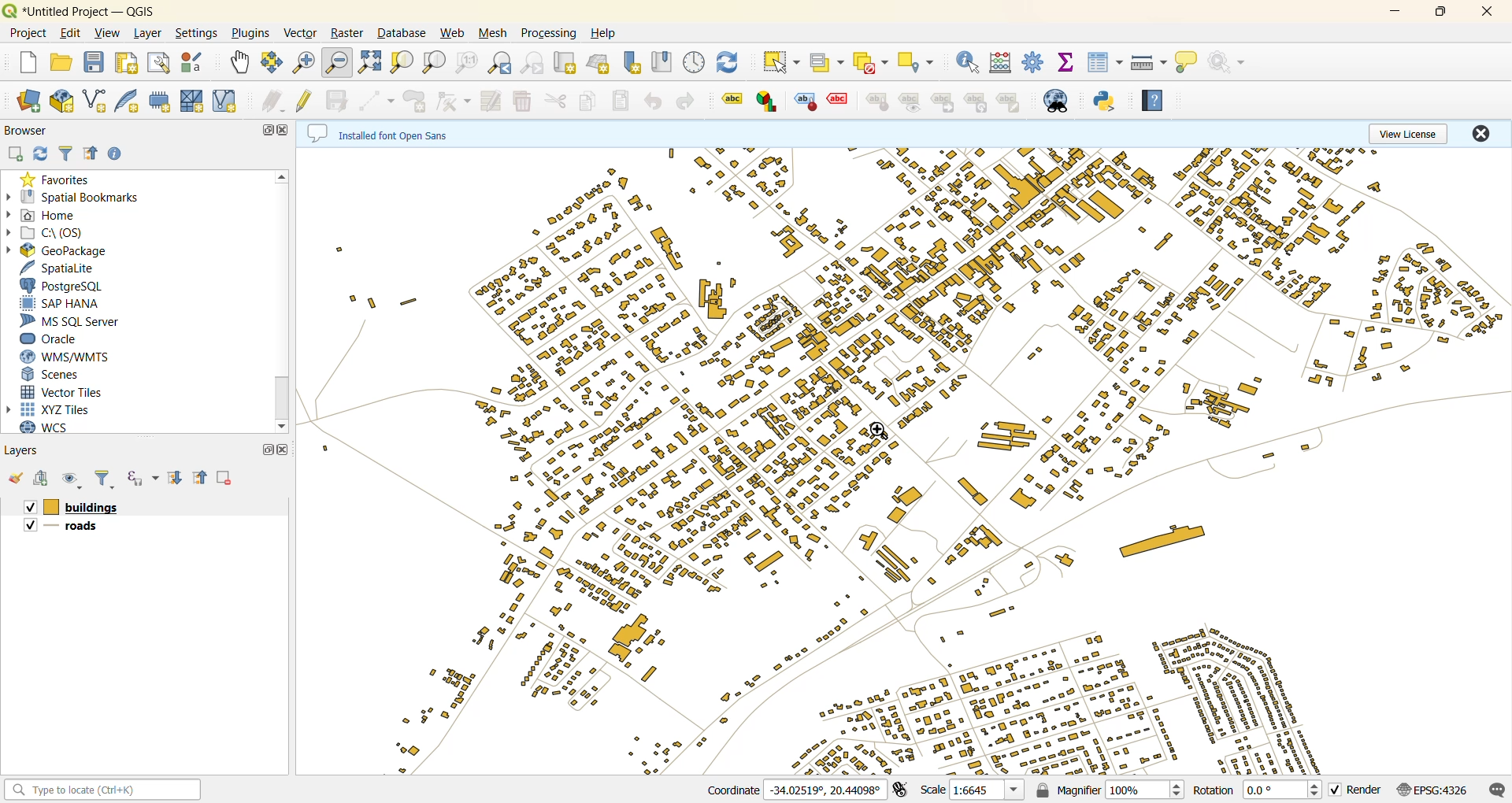  Describe the element at coordinates (199, 35) in the screenshot. I see `settings` at that location.